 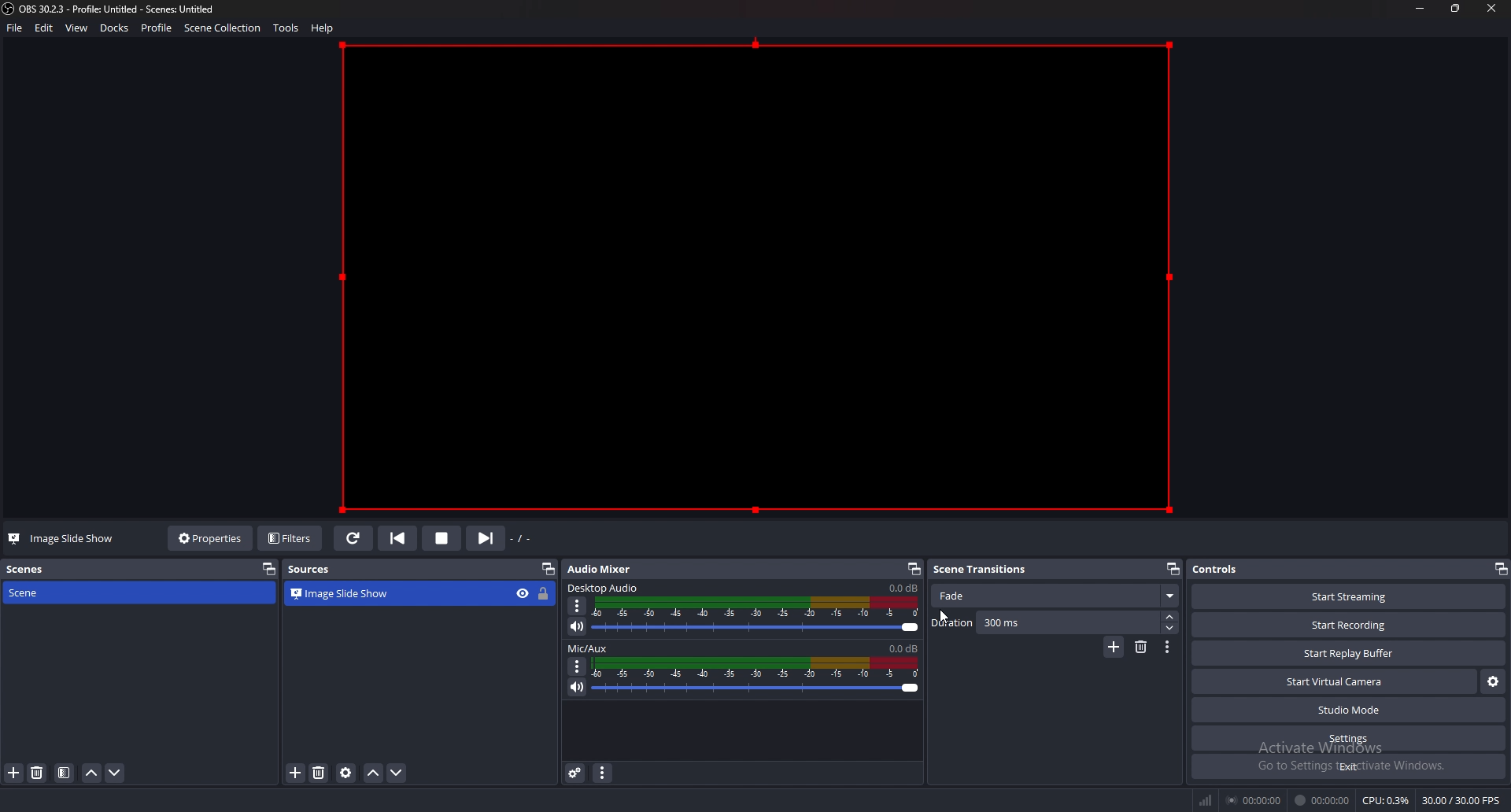 I want to click on scene collection, so click(x=225, y=28).